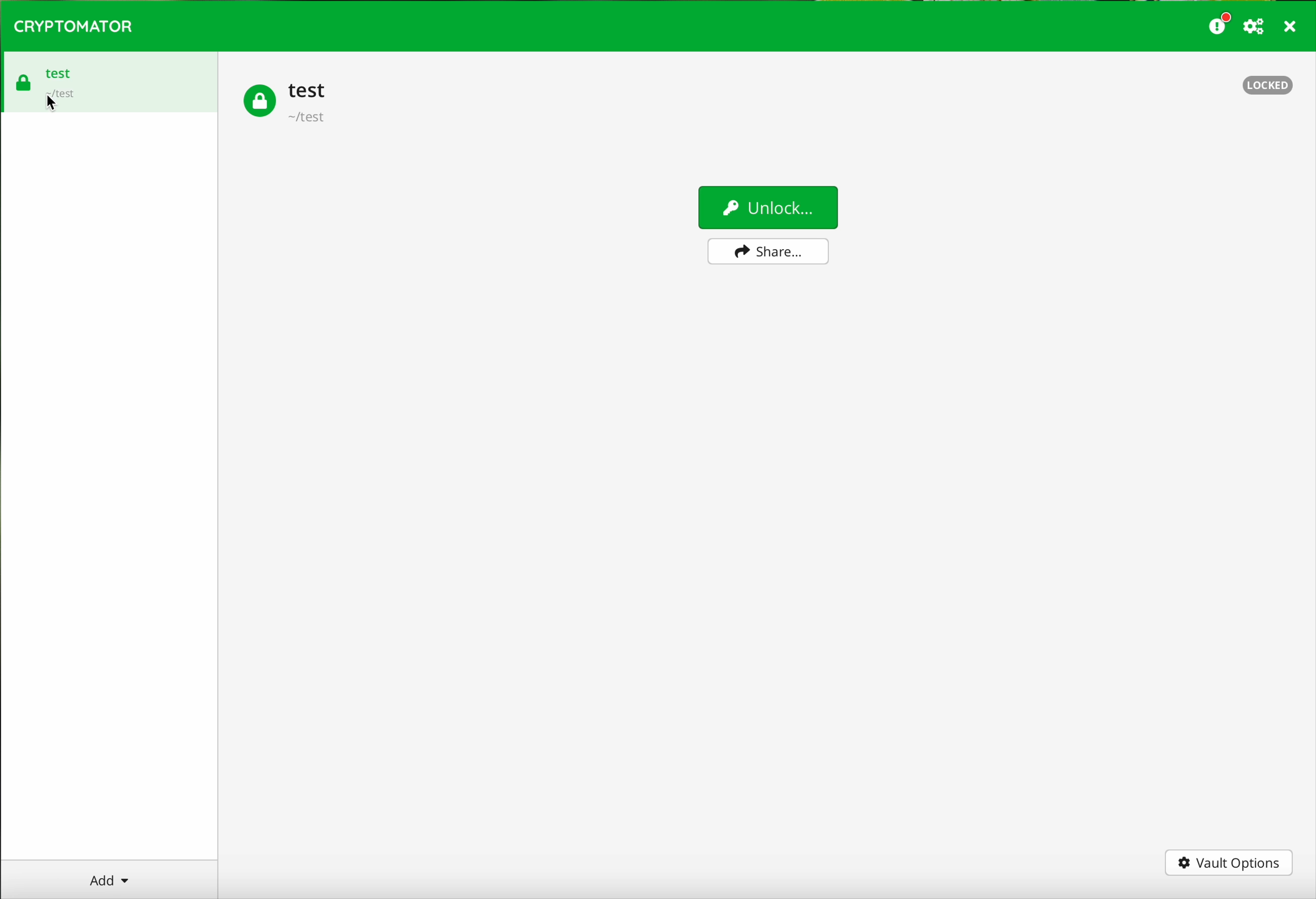 This screenshot has height=899, width=1316. I want to click on vault options, so click(1229, 865).